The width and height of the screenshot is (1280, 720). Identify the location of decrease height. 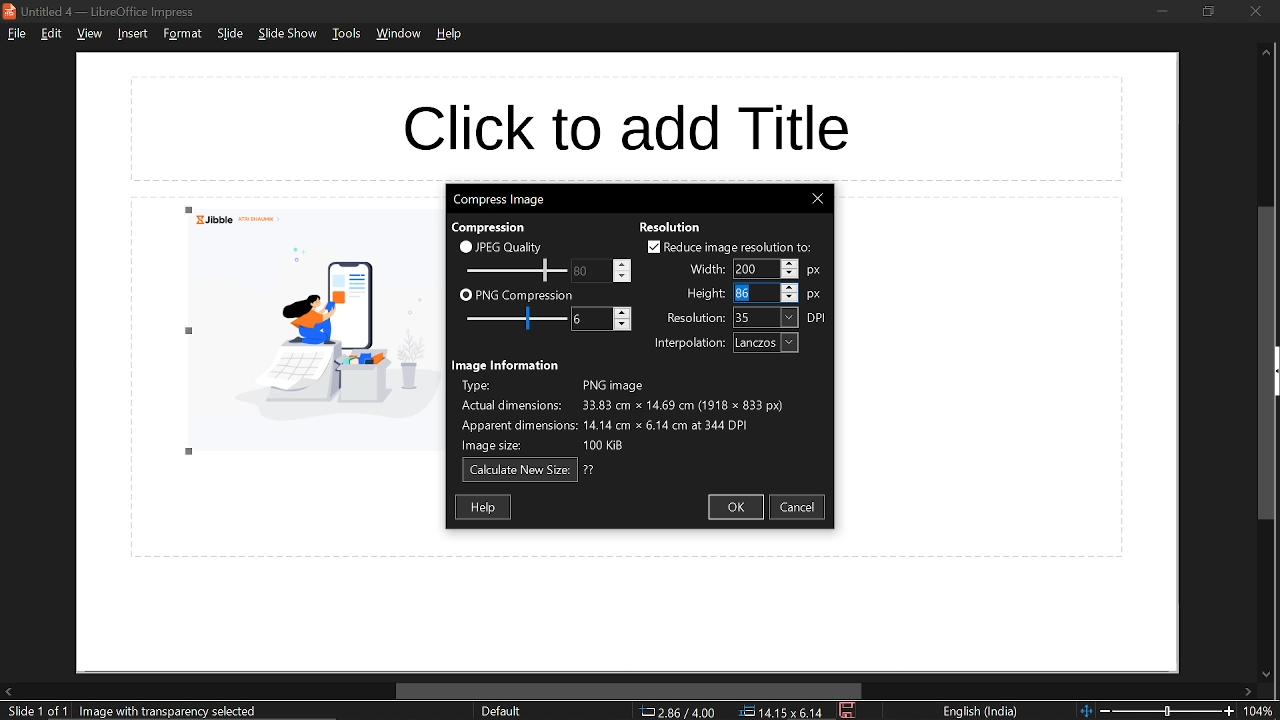
(790, 297).